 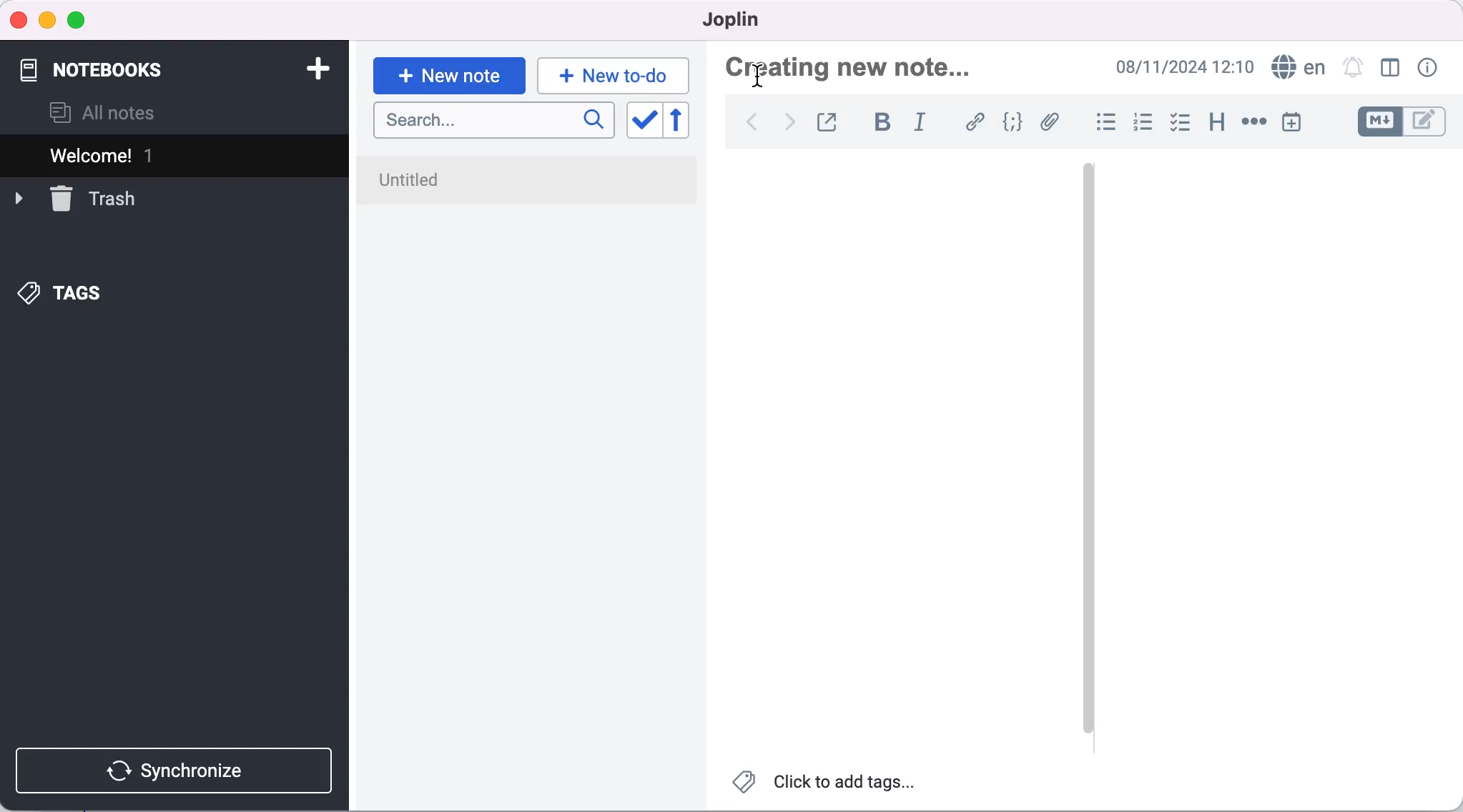 I want to click on synchronize, so click(x=179, y=770).